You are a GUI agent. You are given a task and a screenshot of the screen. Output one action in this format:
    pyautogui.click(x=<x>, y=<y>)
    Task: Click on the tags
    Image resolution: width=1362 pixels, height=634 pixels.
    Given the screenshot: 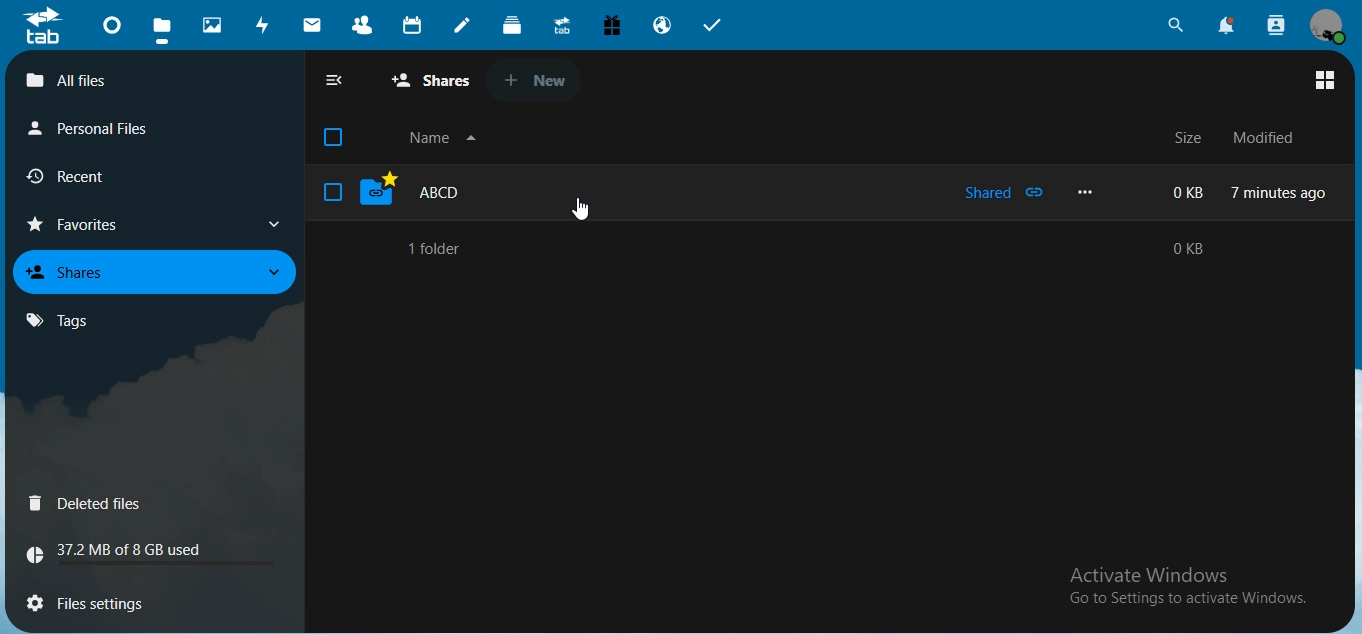 What is the action you would take?
    pyautogui.click(x=58, y=321)
    